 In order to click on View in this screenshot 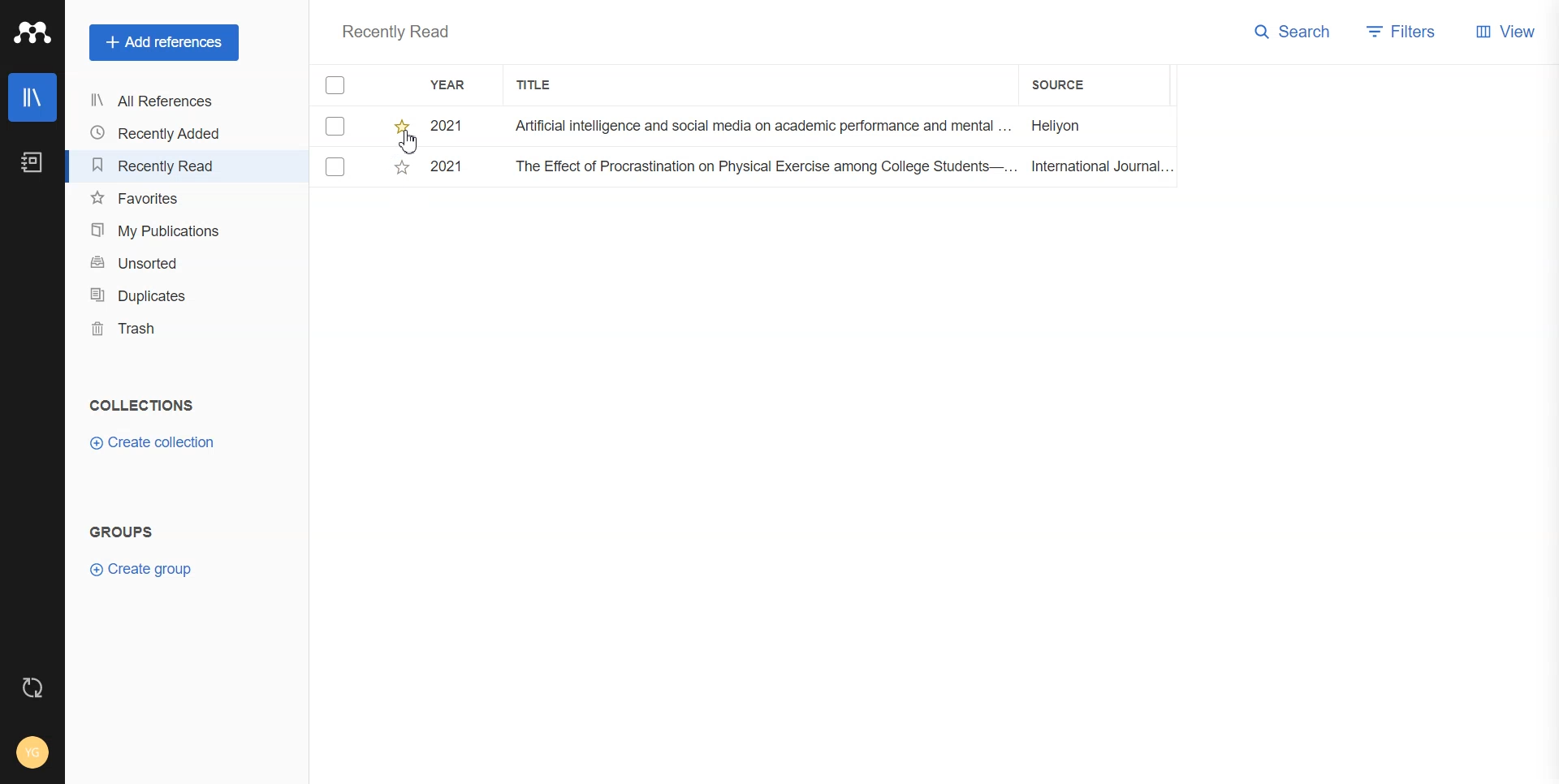, I will do `click(1508, 32)`.